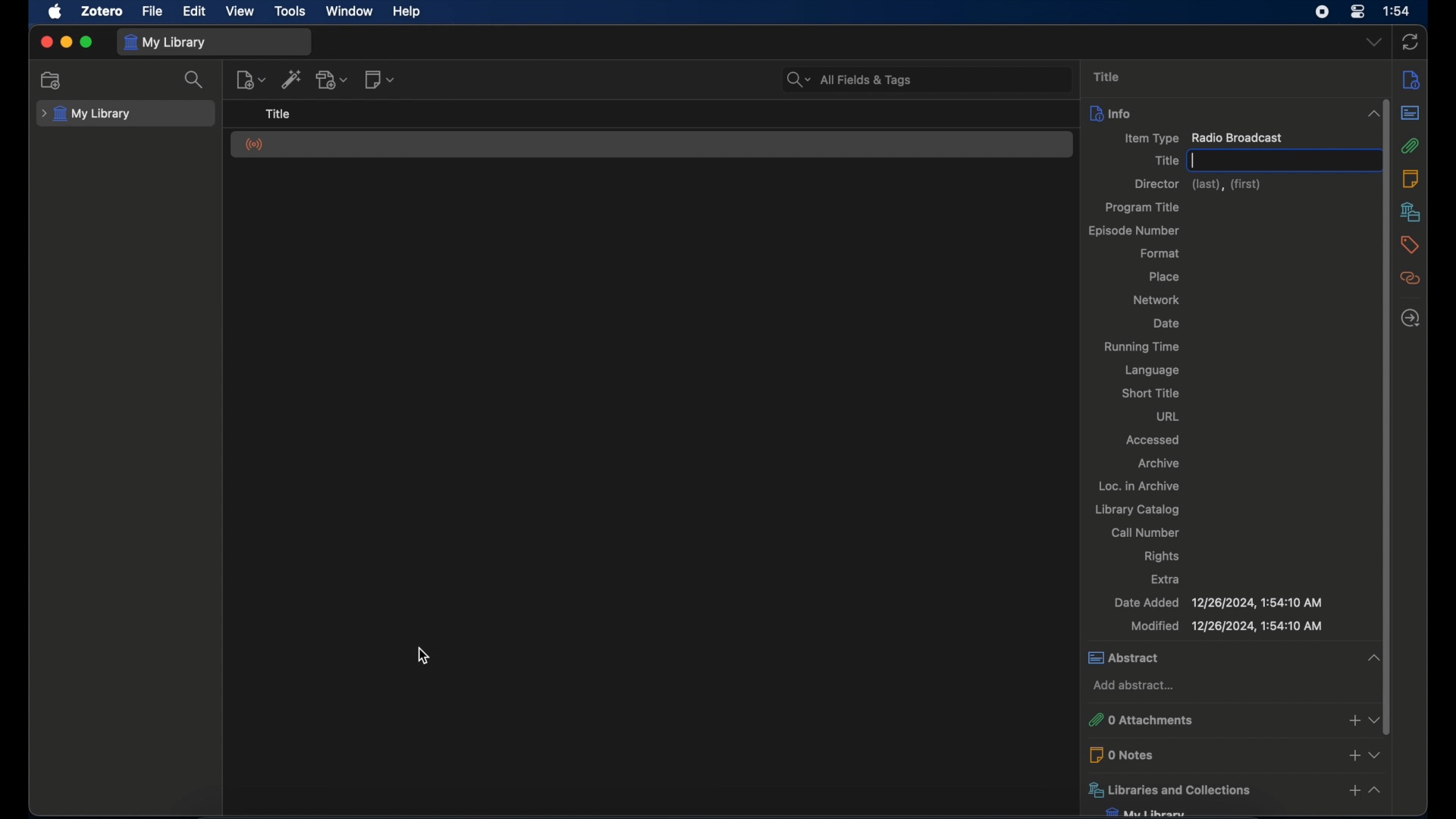 The width and height of the screenshot is (1456, 819). I want to click on window, so click(350, 11).